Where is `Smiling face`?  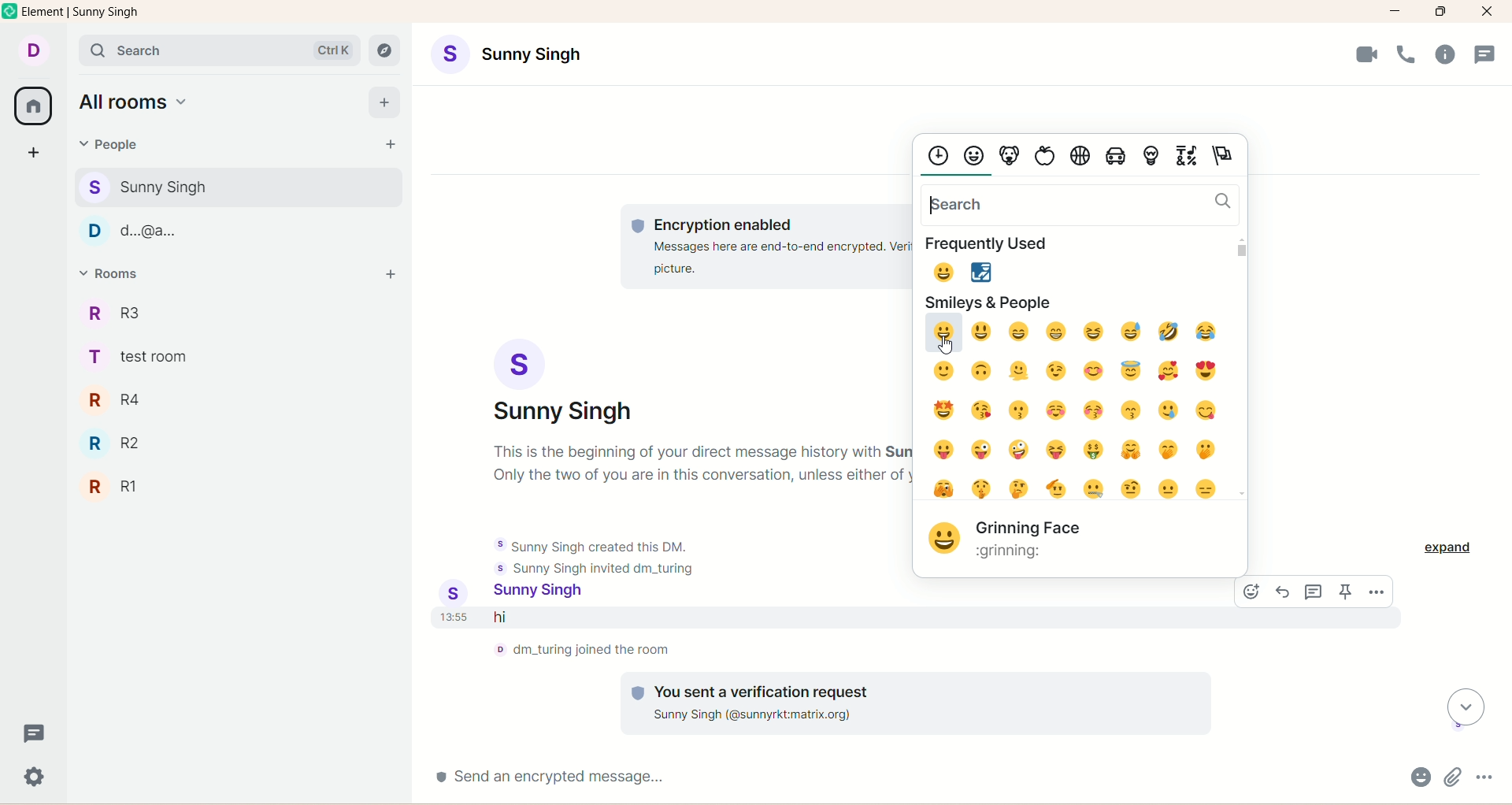 Smiling face is located at coordinates (1057, 410).